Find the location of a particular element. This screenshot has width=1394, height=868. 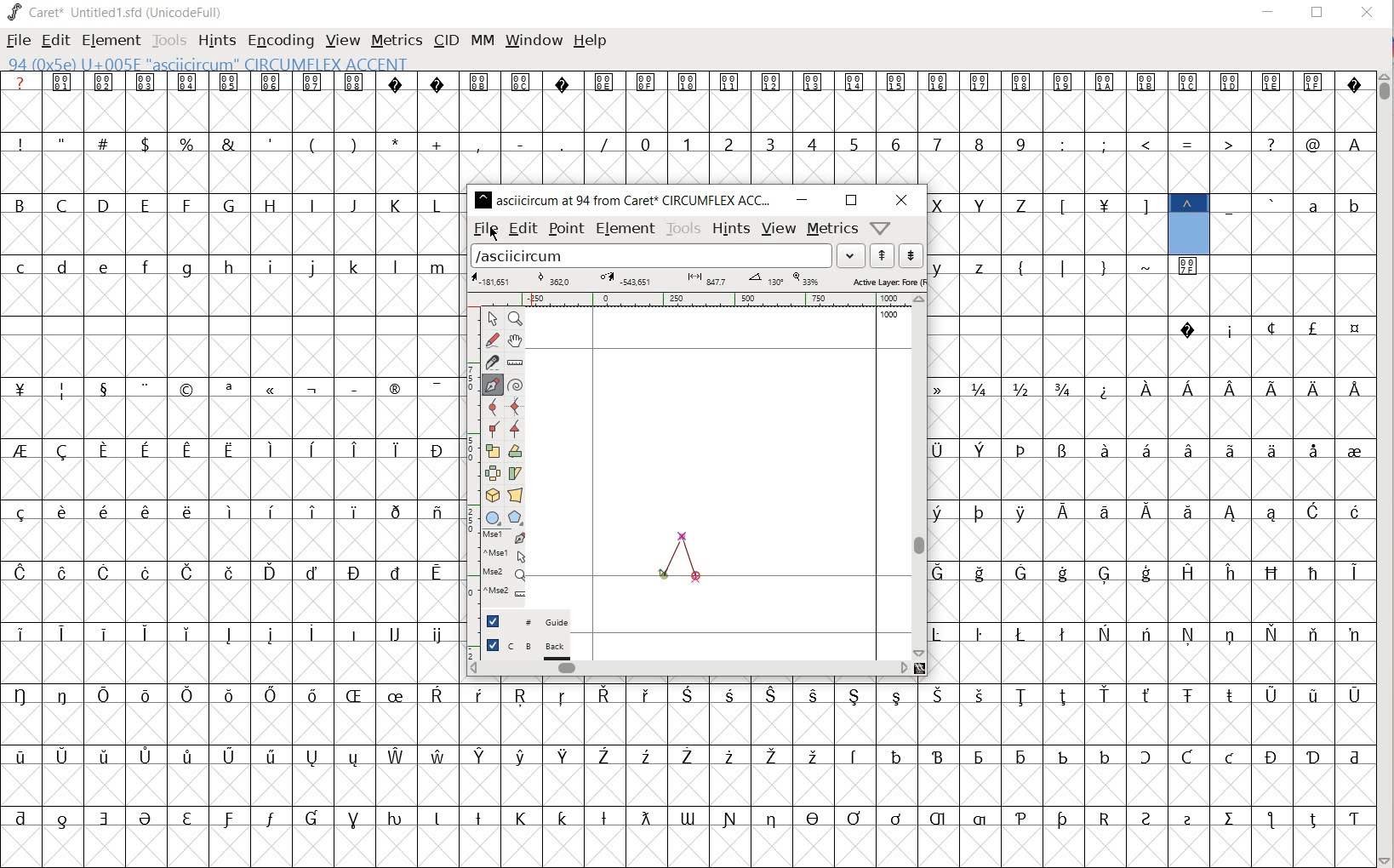

ENCODING is located at coordinates (281, 39).